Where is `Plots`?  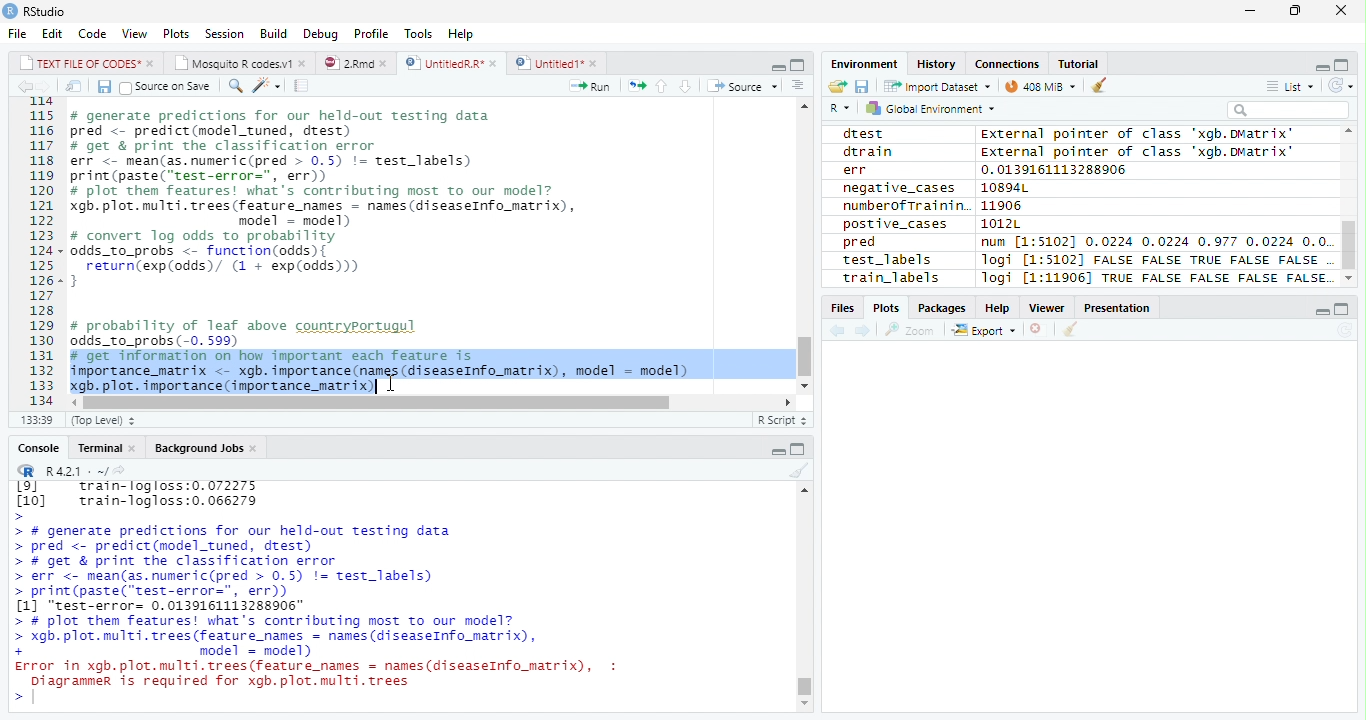
Plots is located at coordinates (885, 308).